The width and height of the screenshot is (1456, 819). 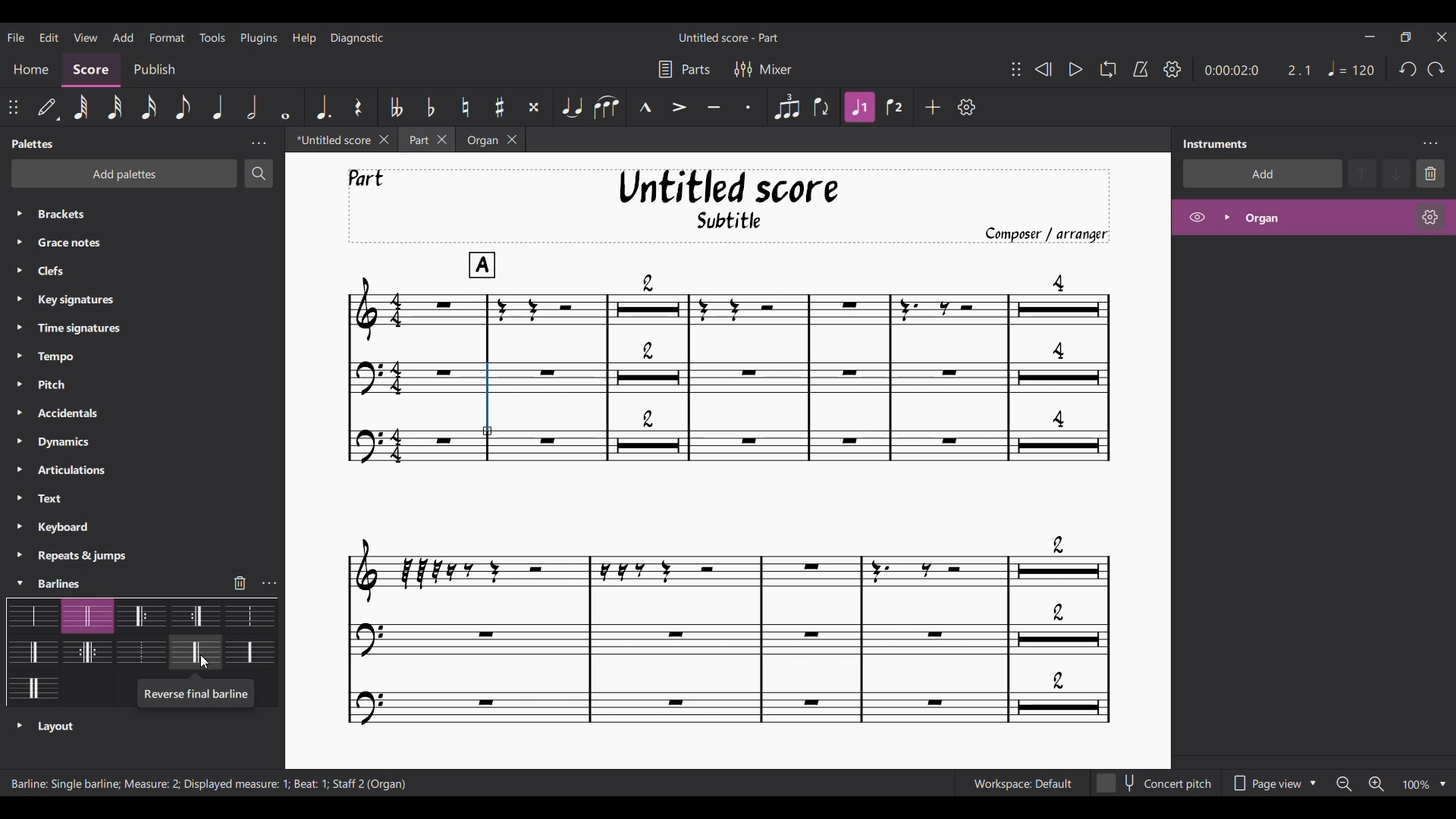 What do you see at coordinates (1273, 783) in the screenshot?
I see `Page view options` at bounding box center [1273, 783].